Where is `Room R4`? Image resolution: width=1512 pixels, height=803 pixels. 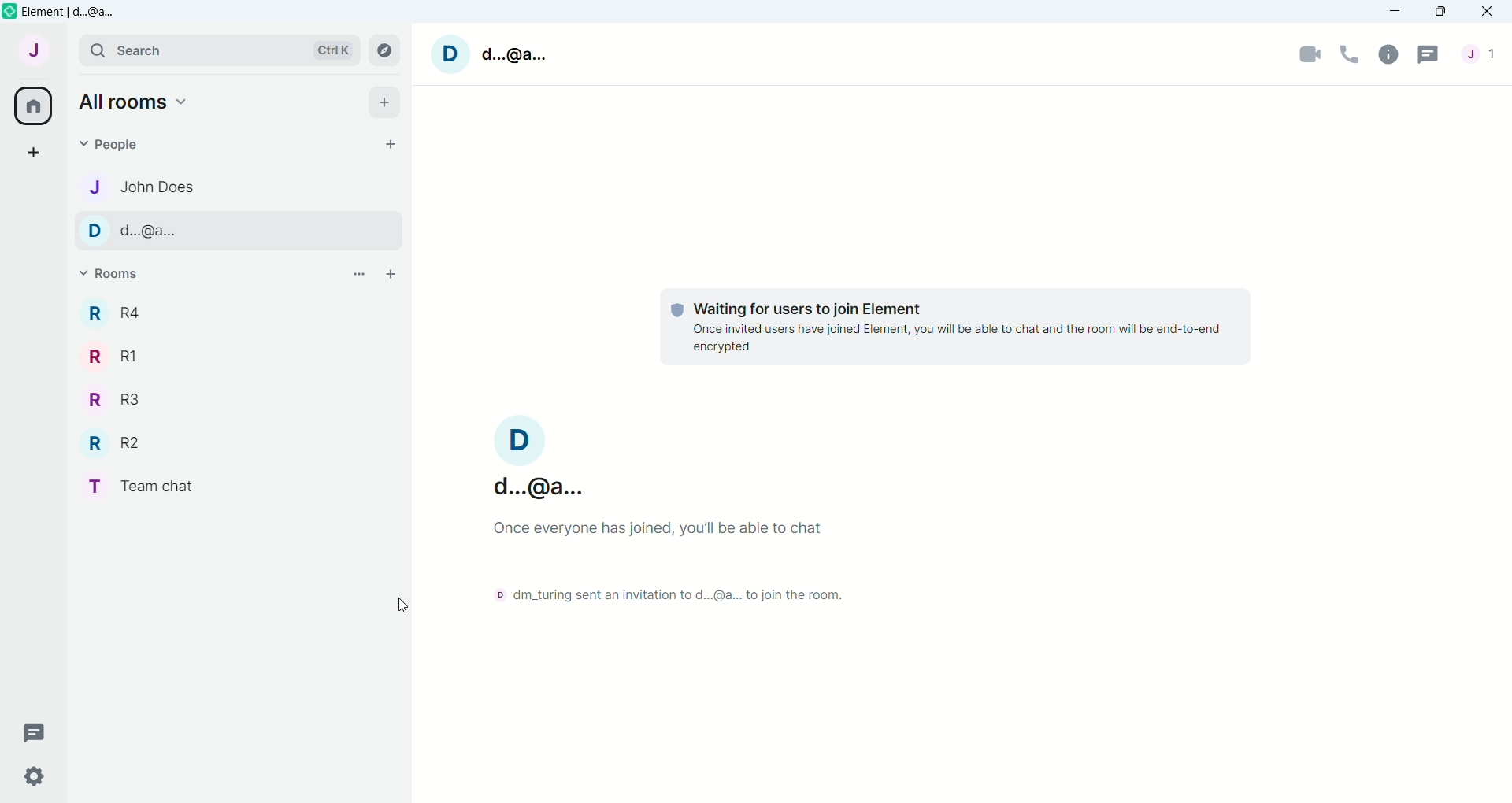 Room R4 is located at coordinates (122, 313).